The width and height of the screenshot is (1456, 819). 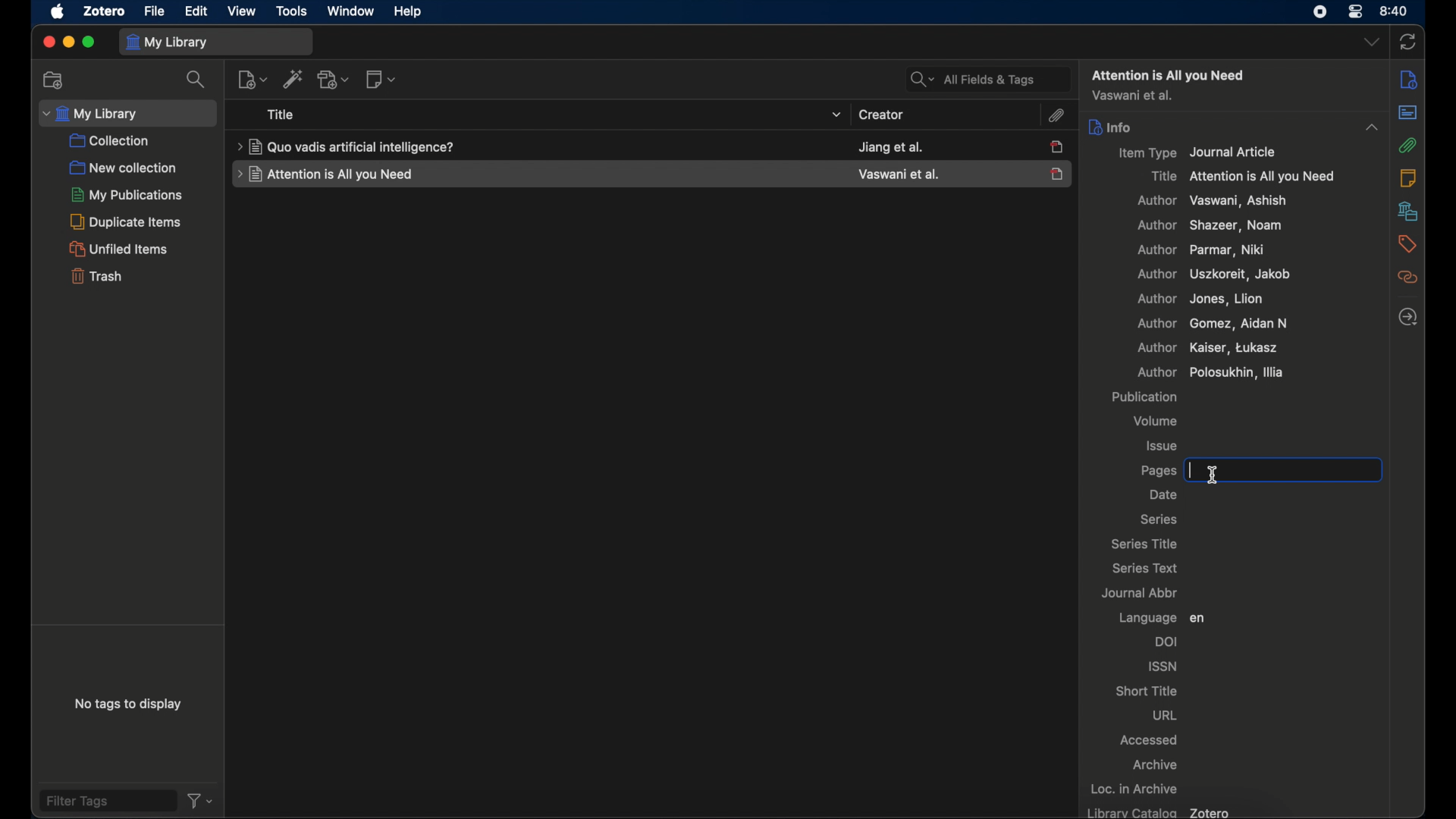 I want to click on author kaiser, tukasz, so click(x=1207, y=347).